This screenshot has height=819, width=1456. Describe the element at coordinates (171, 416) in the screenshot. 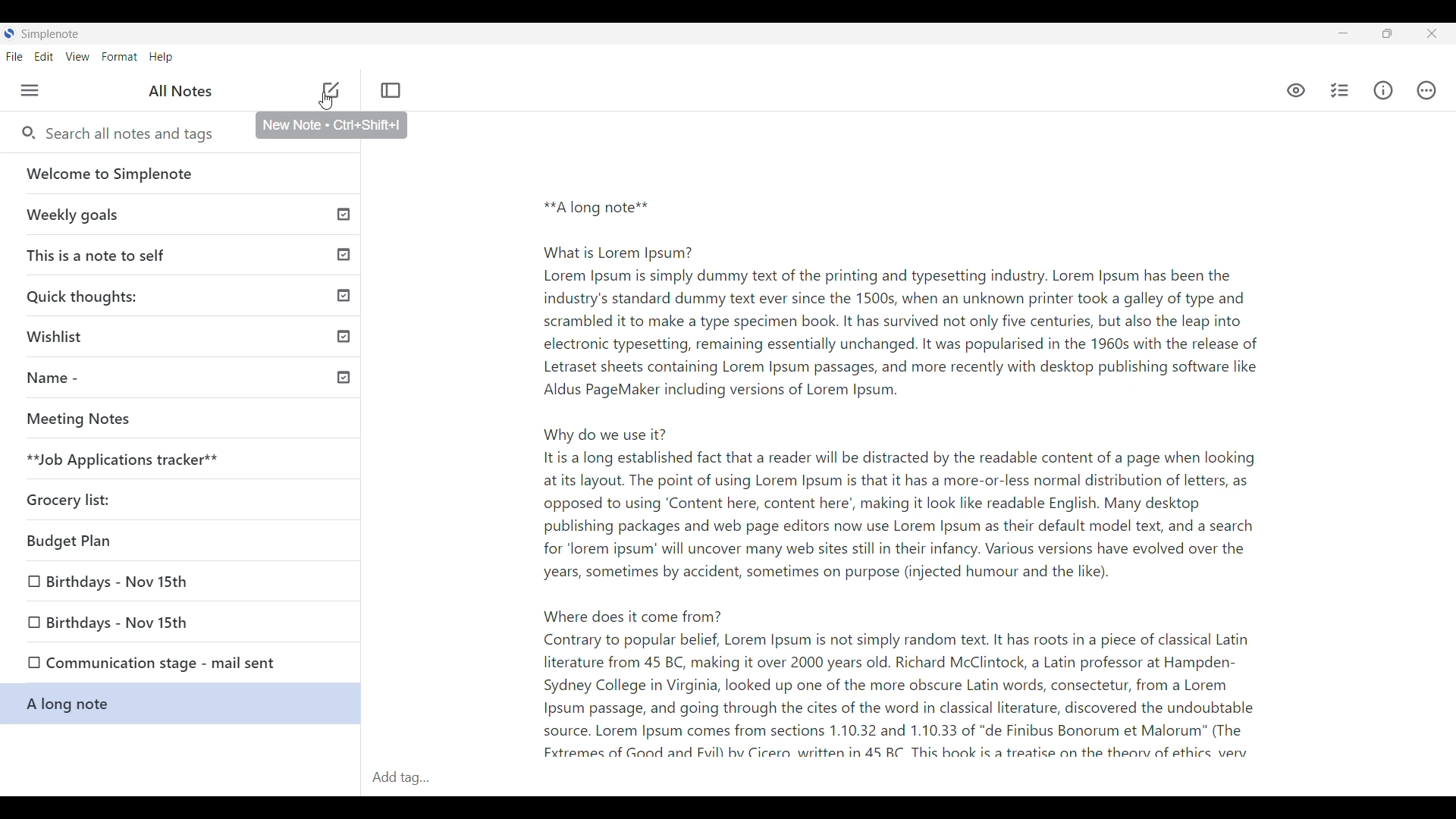

I see `meeting notes` at that location.